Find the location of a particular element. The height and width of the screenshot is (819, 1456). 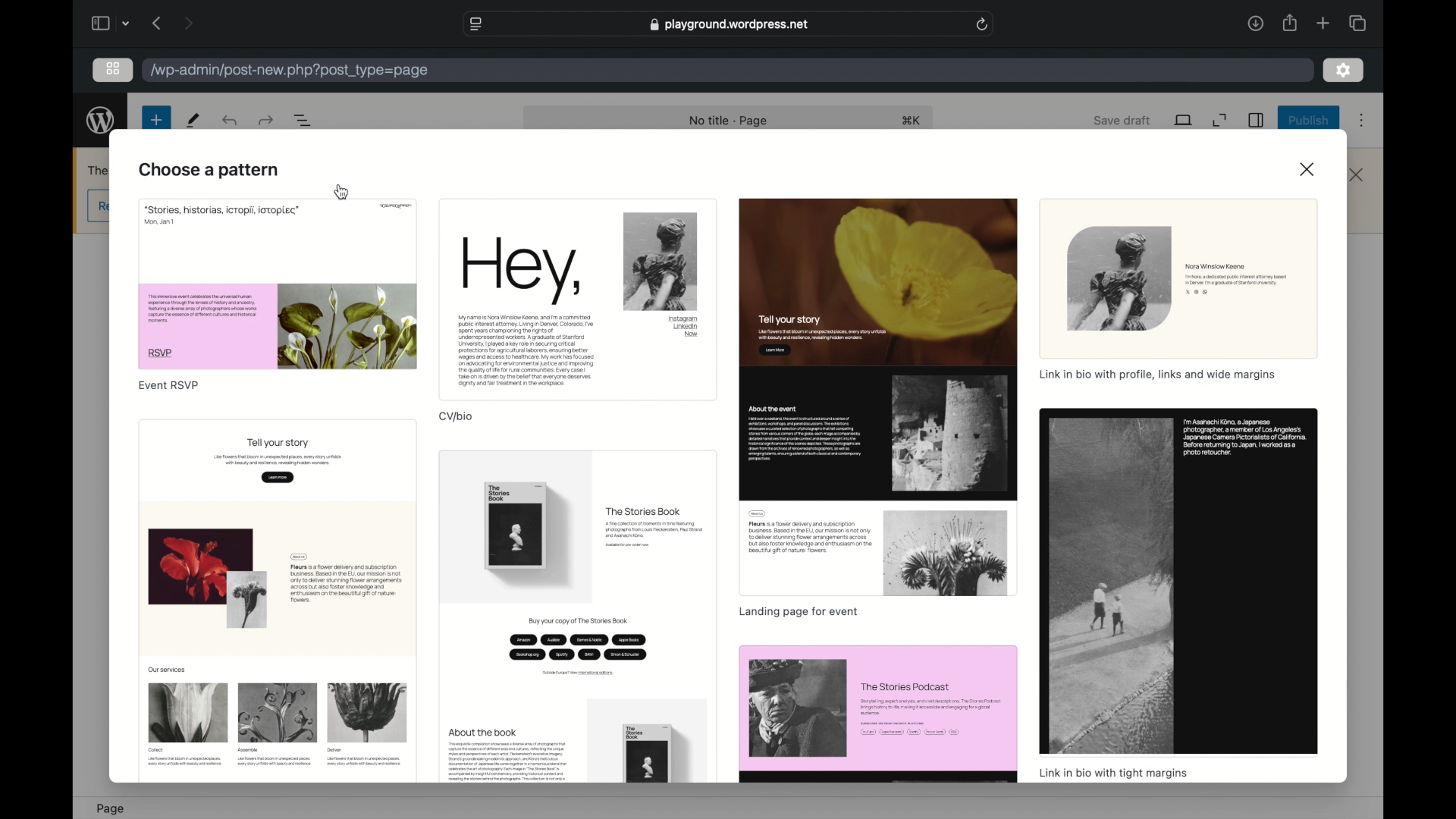

wordpress address is located at coordinates (290, 71).